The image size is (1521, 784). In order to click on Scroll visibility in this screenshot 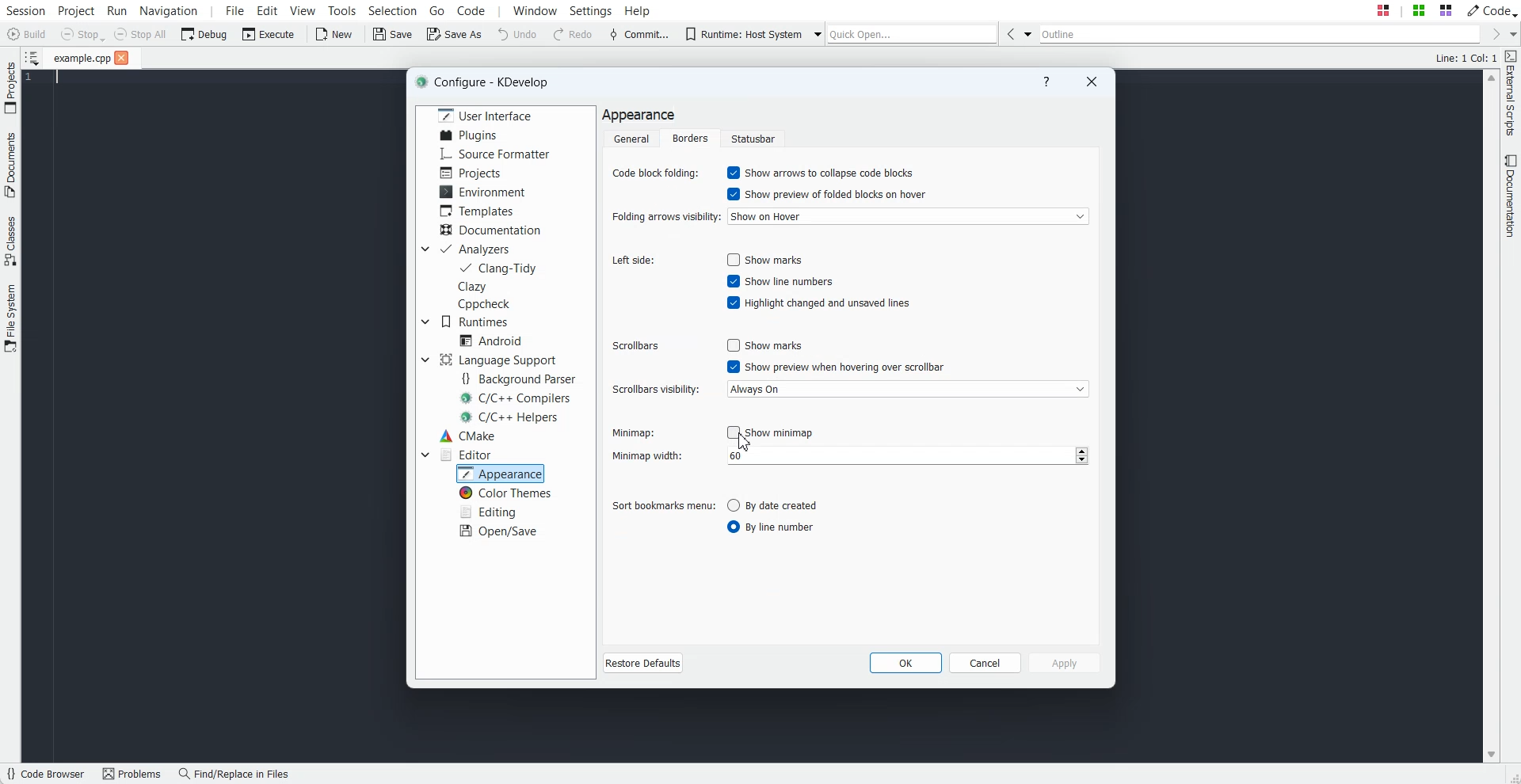, I will do `click(656, 390)`.